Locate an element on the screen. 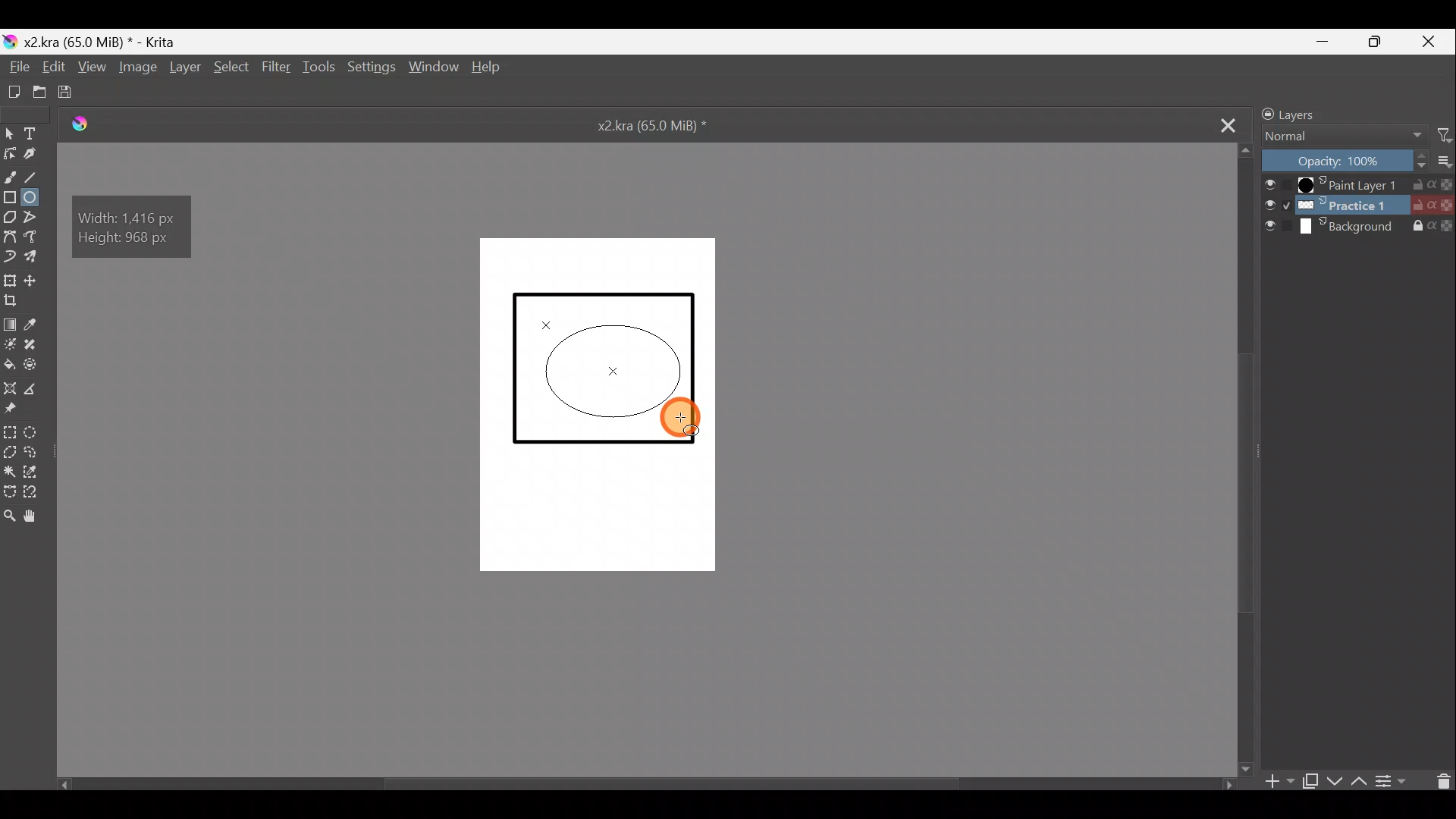 The width and height of the screenshot is (1456, 819). Text tool is located at coordinates (33, 133).